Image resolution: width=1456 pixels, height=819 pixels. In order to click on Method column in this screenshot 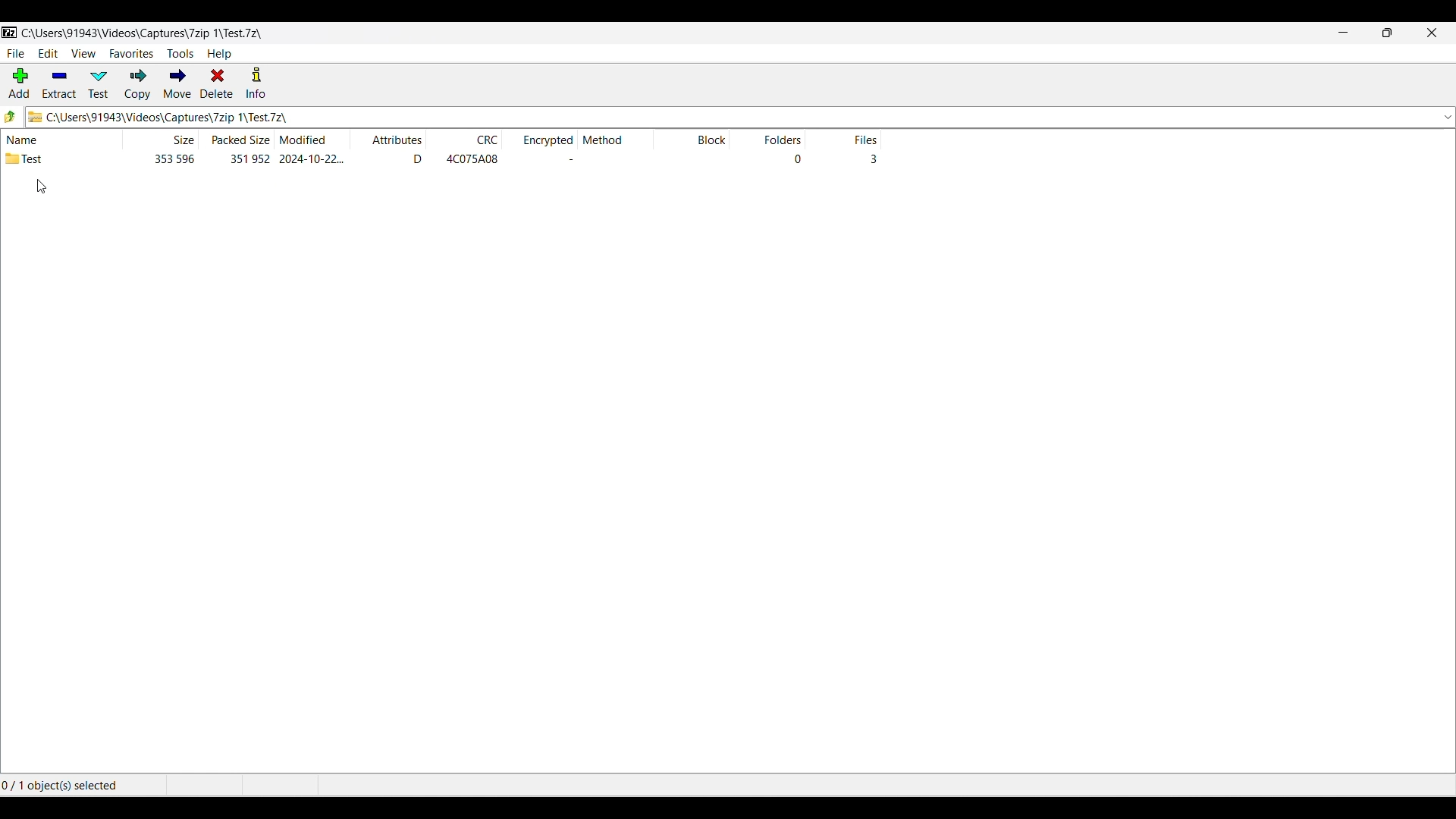, I will do `click(614, 138)`.